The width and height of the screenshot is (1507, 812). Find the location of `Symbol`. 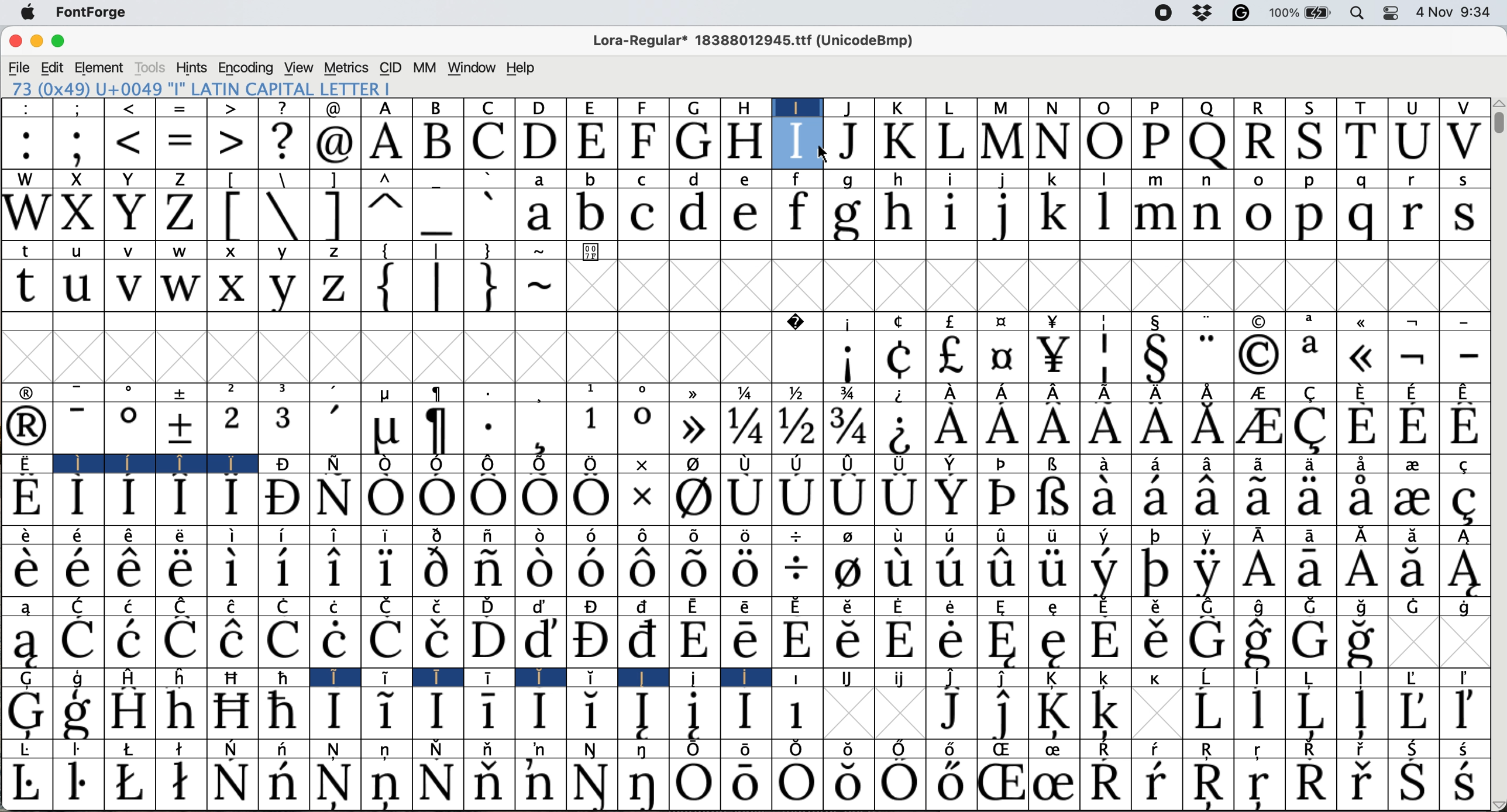

Symbol is located at coordinates (696, 605).